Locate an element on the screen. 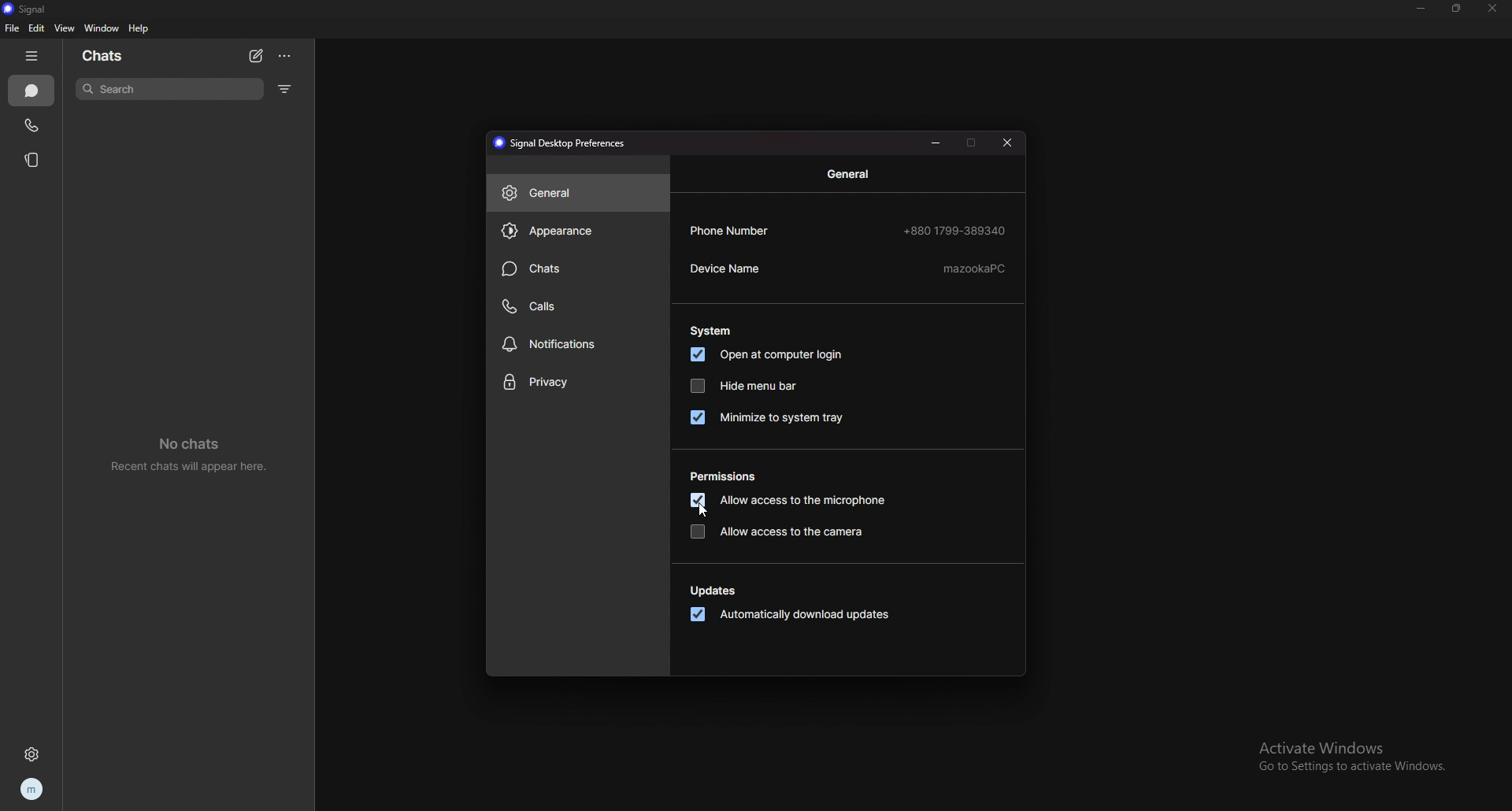  privacy is located at coordinates (578, 383).